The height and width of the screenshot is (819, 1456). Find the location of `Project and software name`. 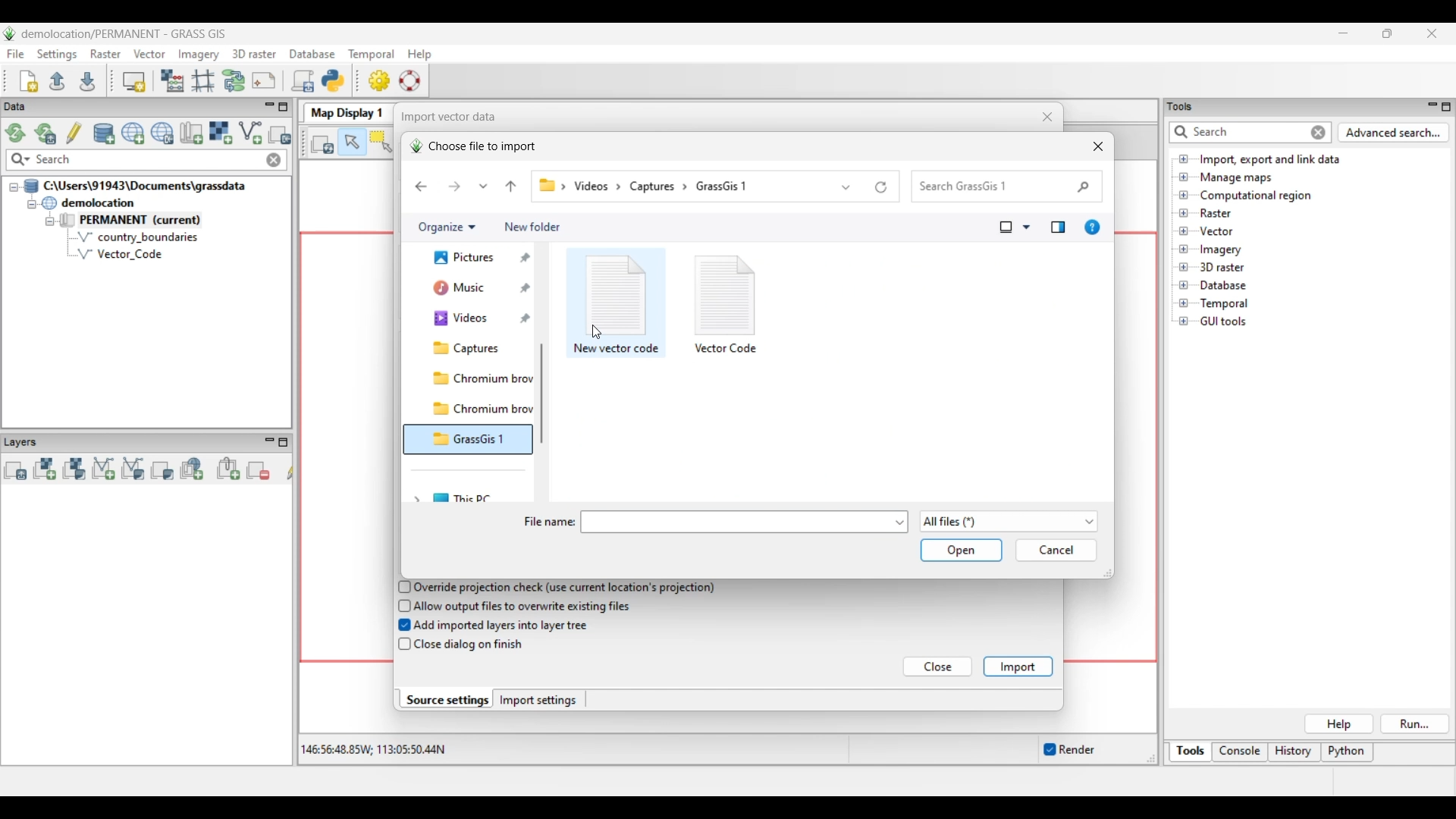

Project and software name is located at coordinates (124, 34).